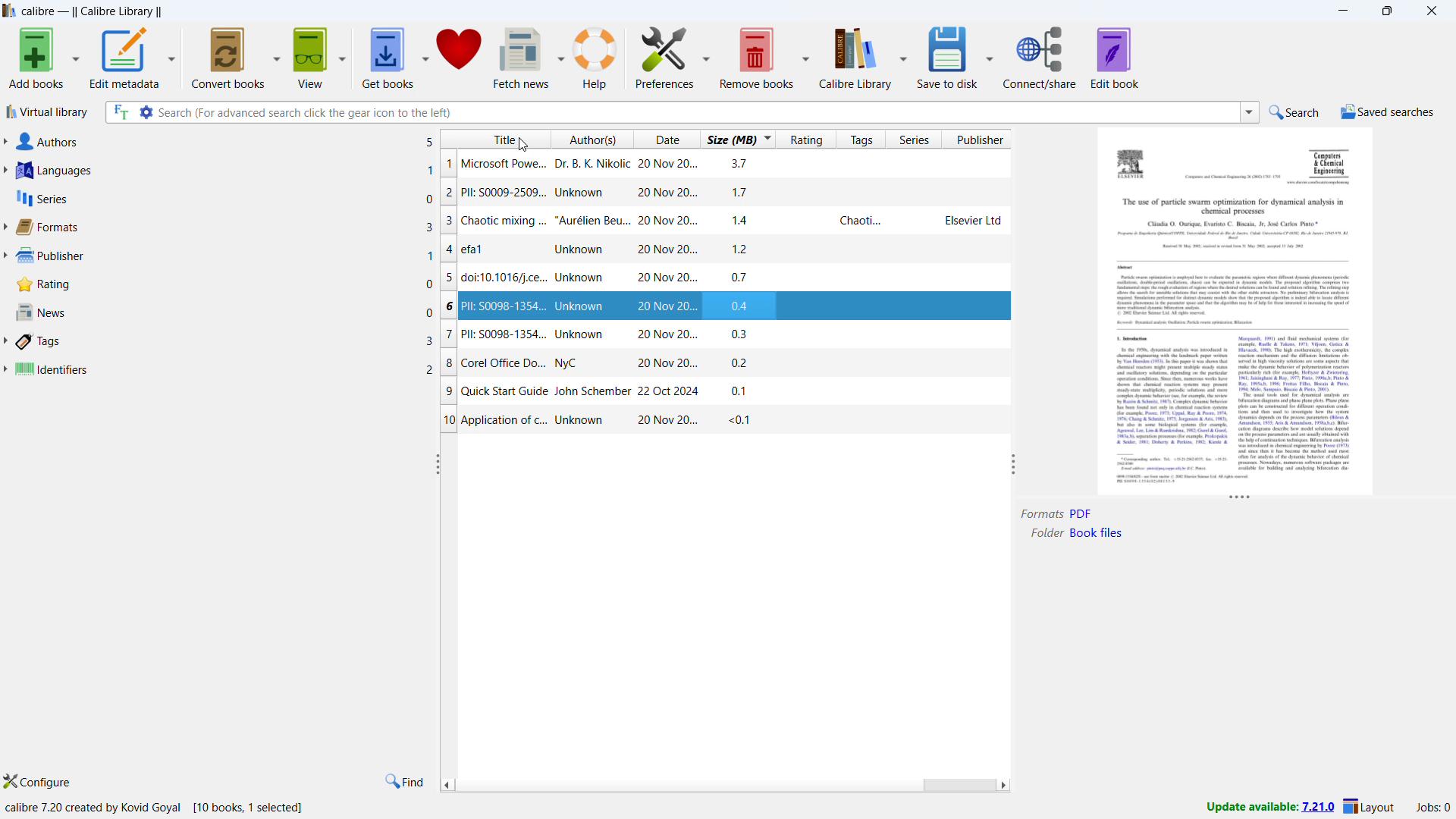 The image size is (1456, 819). Describe the element at coordinates (745, 193) in the screenshot. I see `17` at that location.